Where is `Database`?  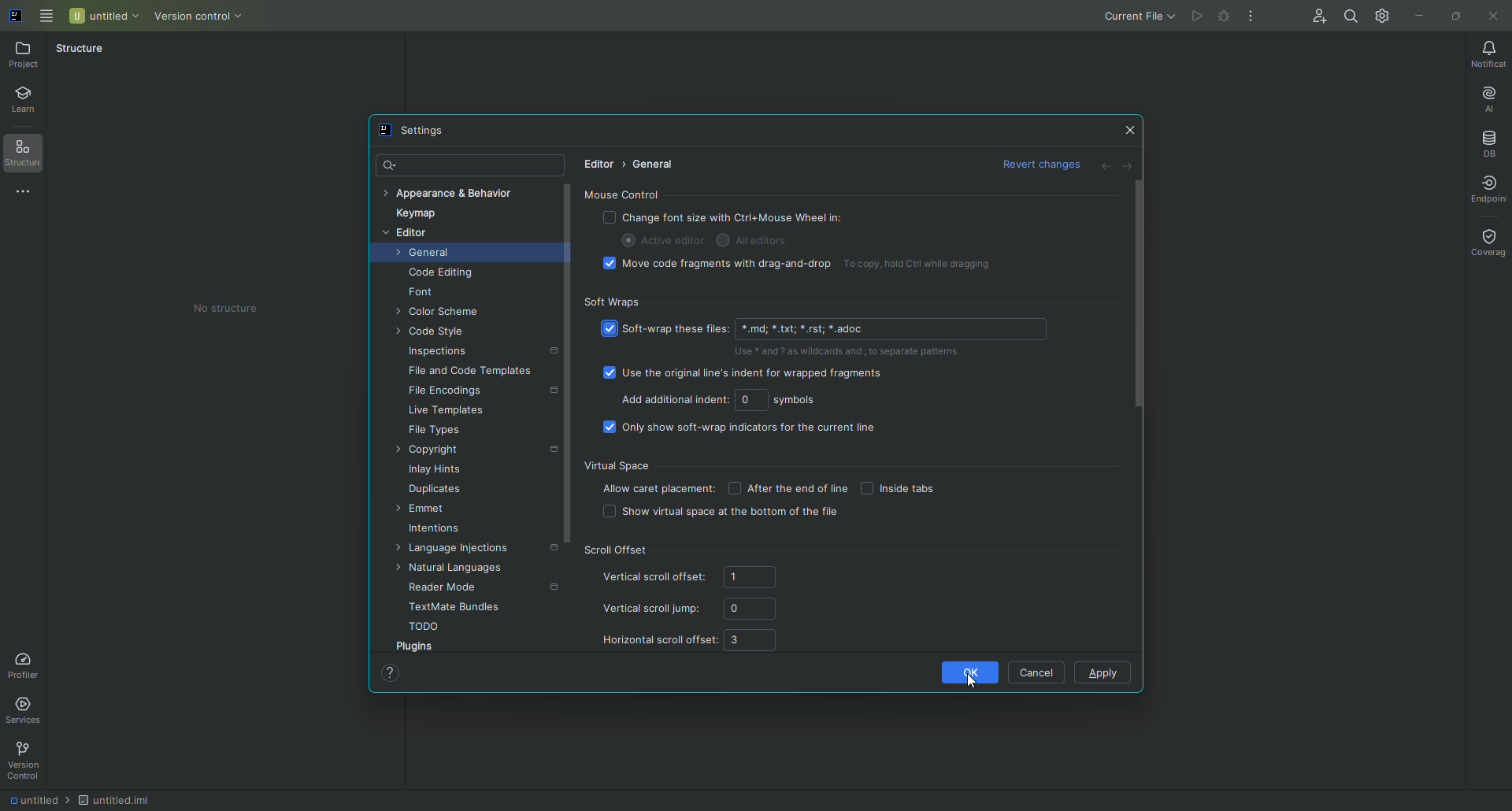 Database is located at coordinates (1487, 140).